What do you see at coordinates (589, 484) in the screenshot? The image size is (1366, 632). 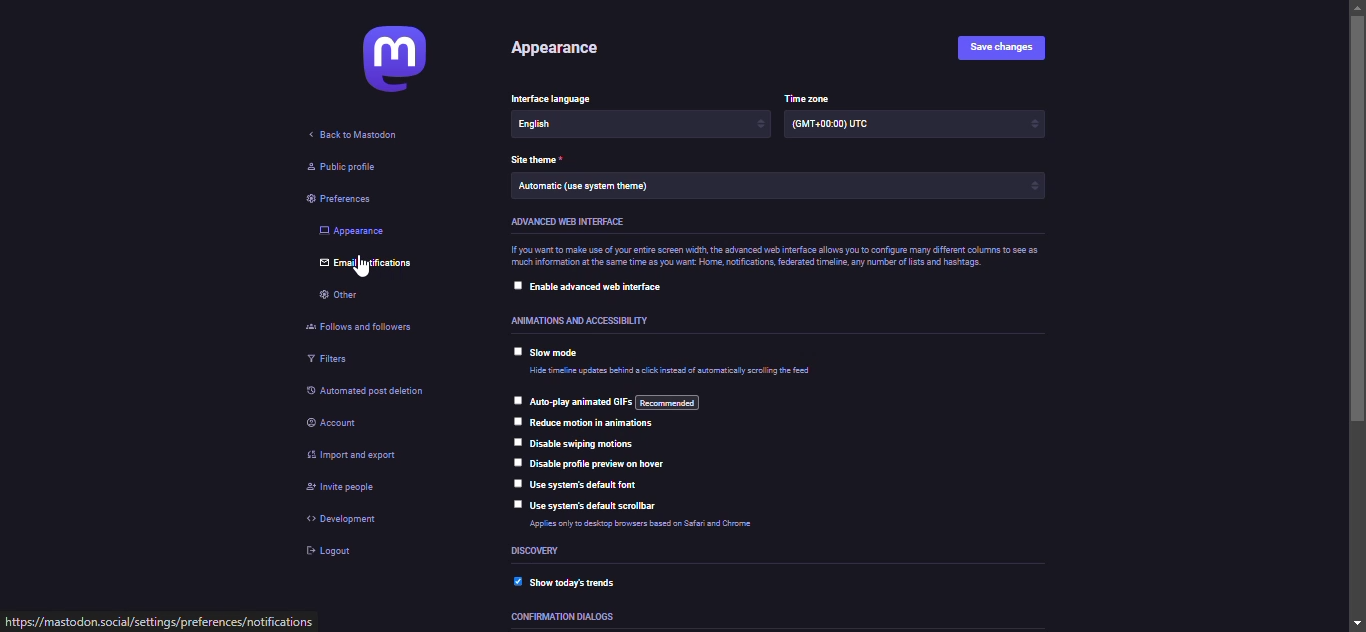 I see `use system's default font` at bounding box center [589, 484].